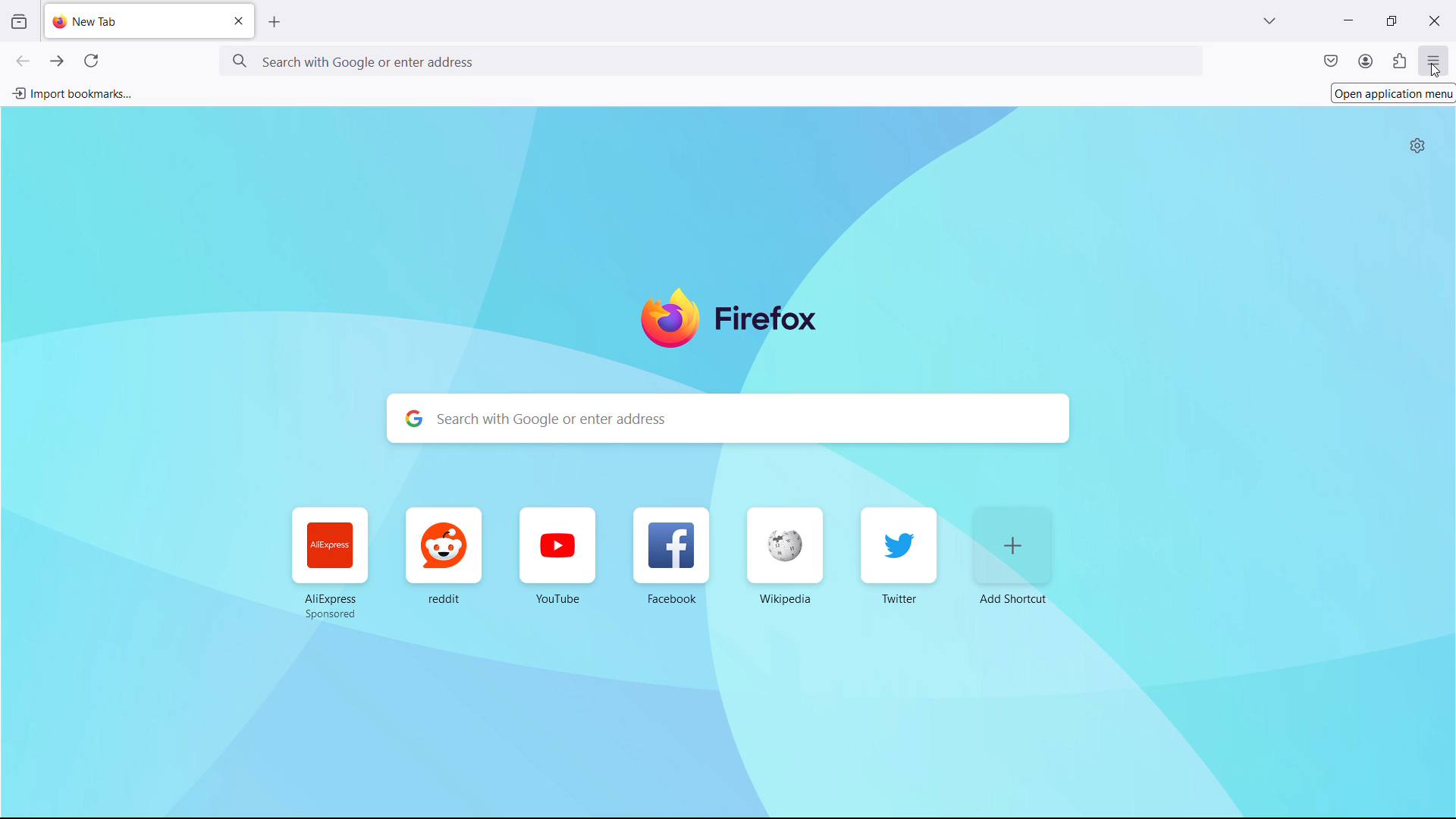 The width and height of the screenshot is (1456, 819). I want to click on view recent browsing across windows and devices, so click(18, 22).